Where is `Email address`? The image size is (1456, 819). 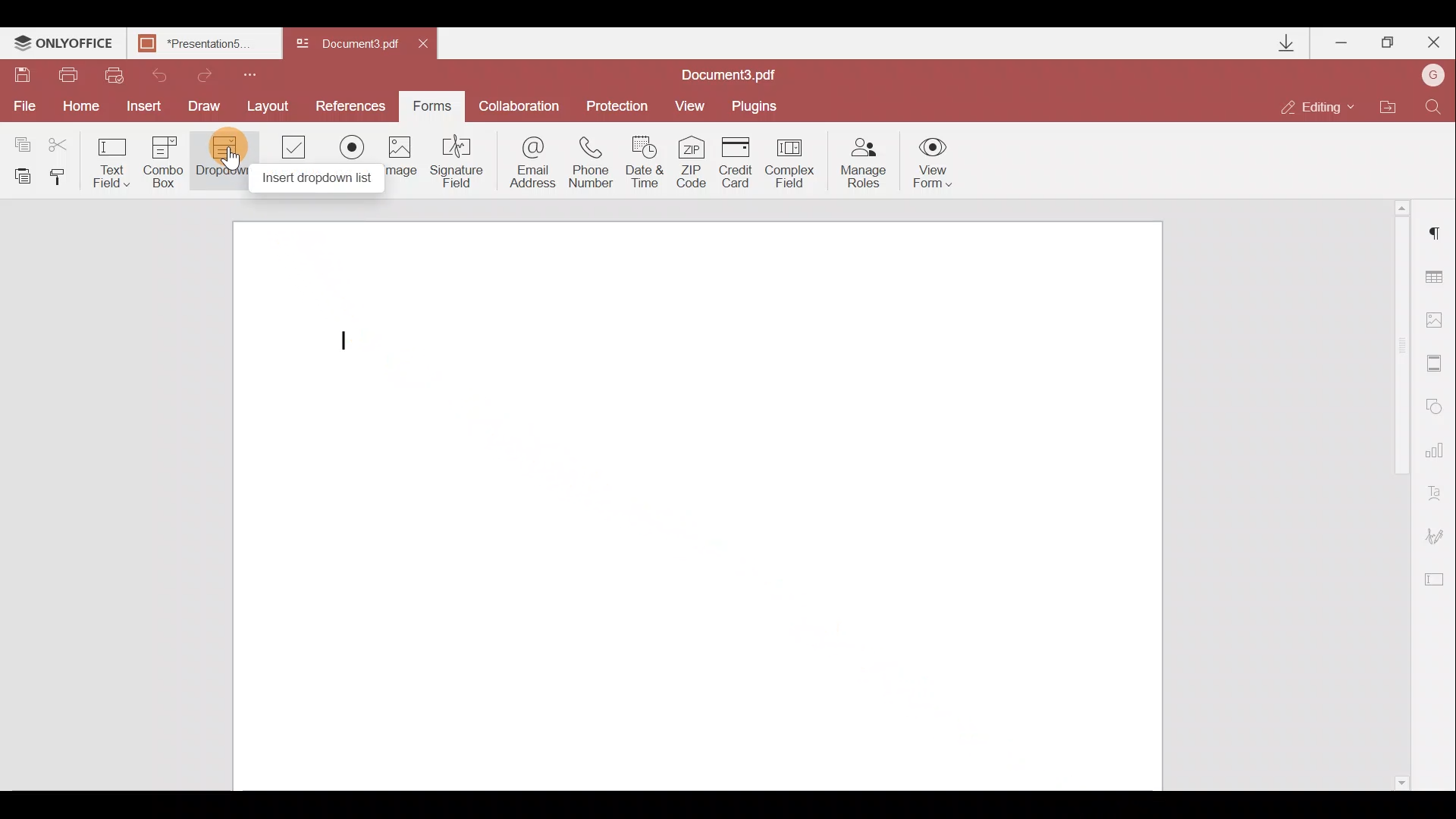
Email address is located at coordinates (533, 165).